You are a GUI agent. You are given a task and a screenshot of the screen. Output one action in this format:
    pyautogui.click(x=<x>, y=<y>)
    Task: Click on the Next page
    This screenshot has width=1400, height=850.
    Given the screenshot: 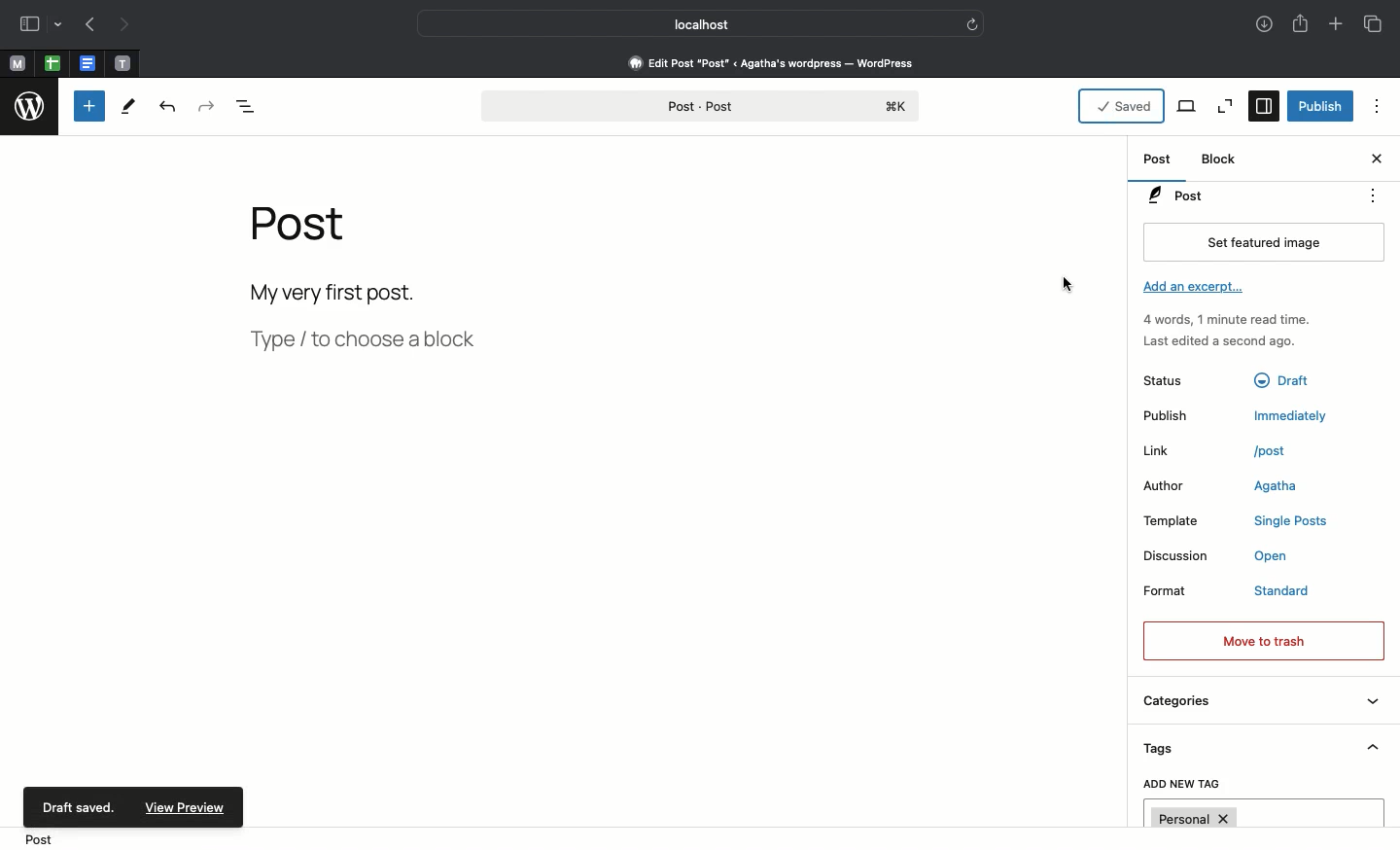 What is the action you would take?
    pyautogui.click(x=122, y=24)
    